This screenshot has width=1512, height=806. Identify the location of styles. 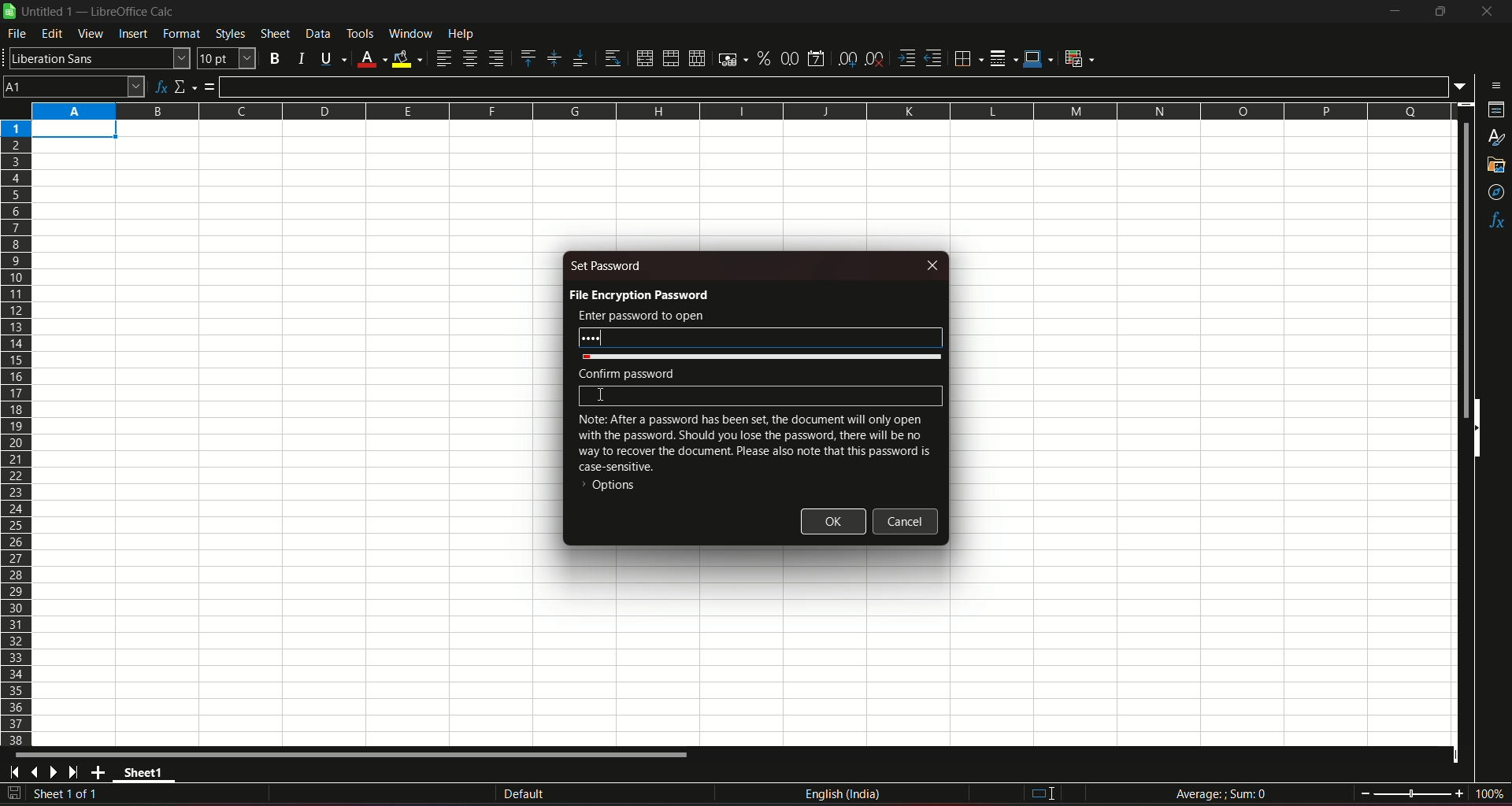
(1496, 139).